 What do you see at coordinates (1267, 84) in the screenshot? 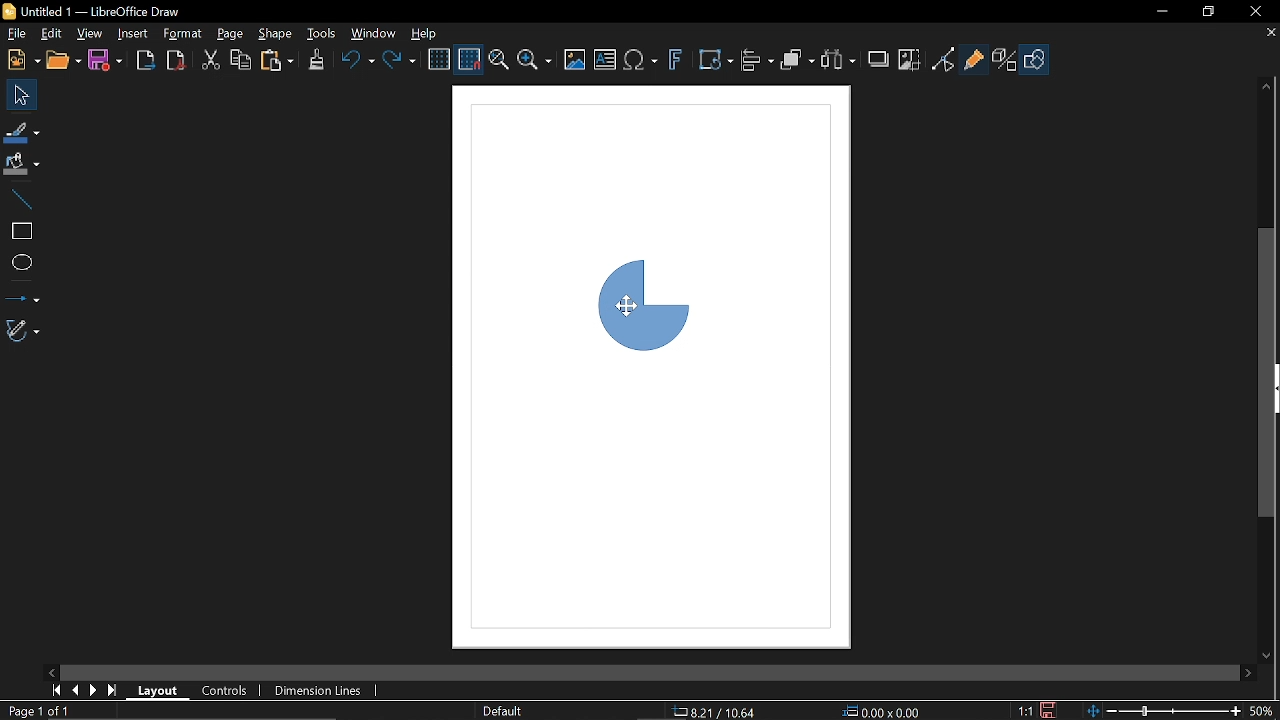
I see `Move up` at bounding box center [1267, 84].